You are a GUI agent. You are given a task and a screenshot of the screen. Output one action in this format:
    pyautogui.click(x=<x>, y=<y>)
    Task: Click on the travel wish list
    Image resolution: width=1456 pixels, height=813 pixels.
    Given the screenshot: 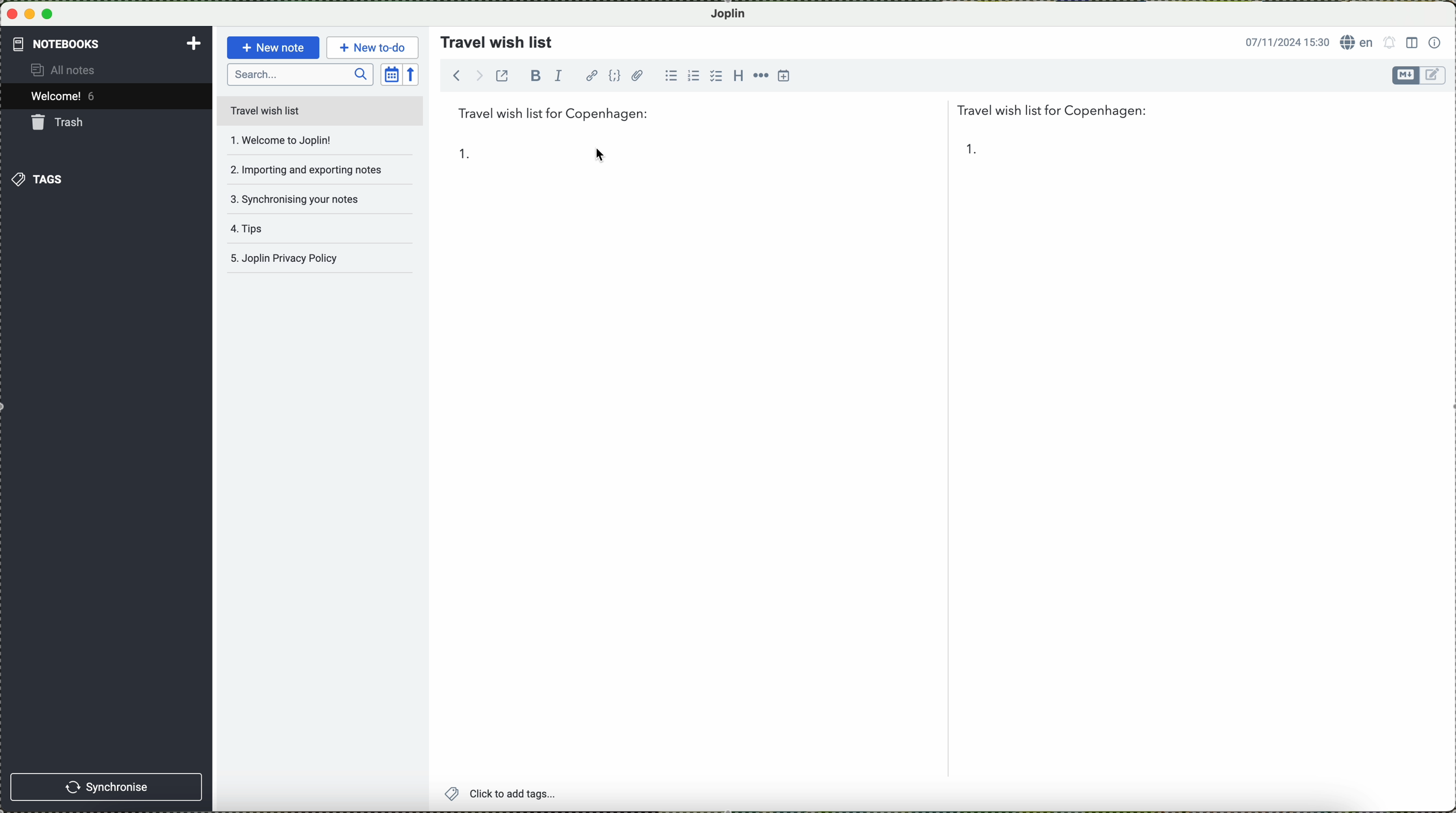 What is the action you would take?
    pyautogui.click(x=492, y=38)
    